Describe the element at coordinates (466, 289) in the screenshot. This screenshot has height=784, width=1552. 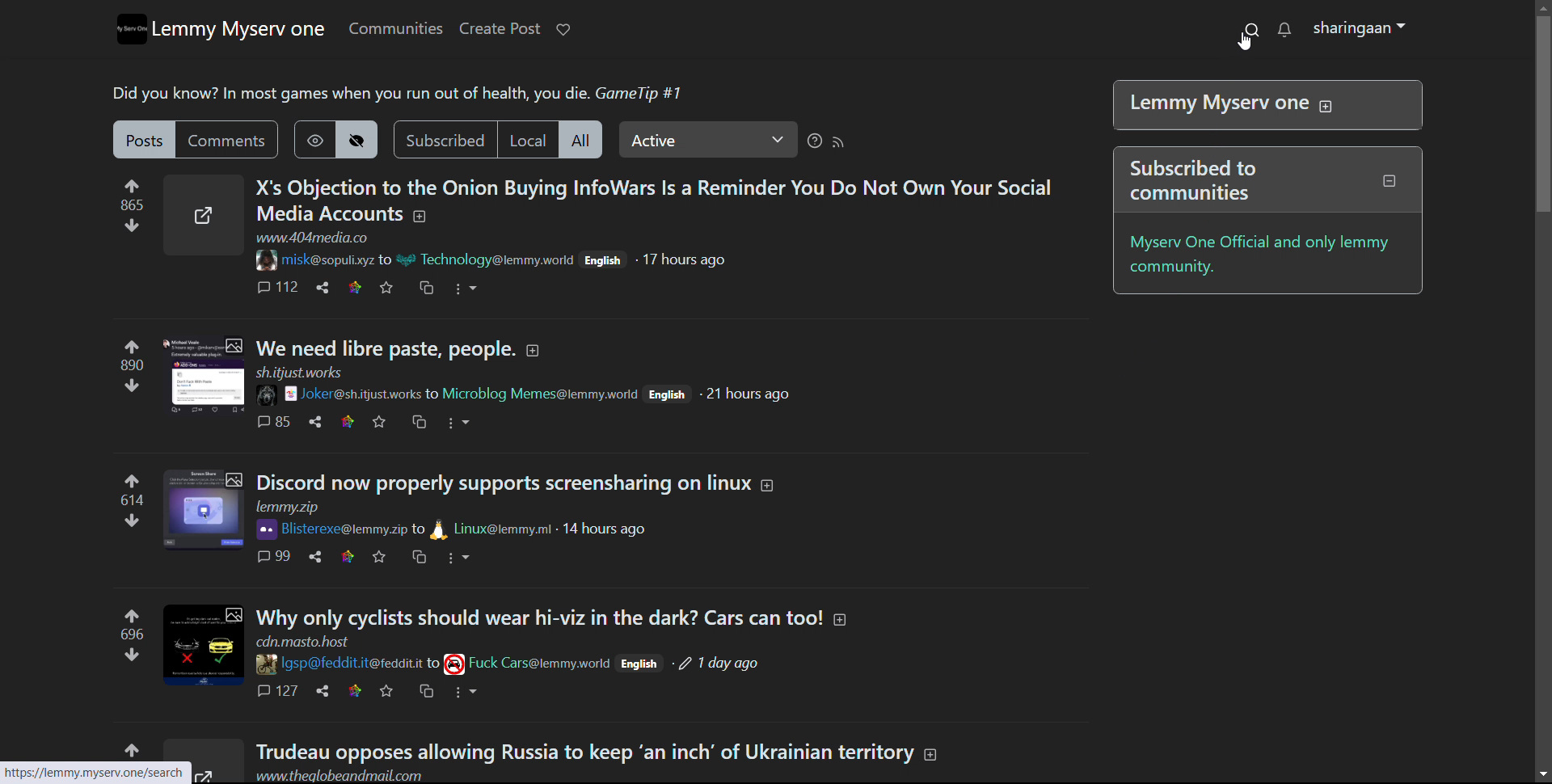
I see `more` at that location.